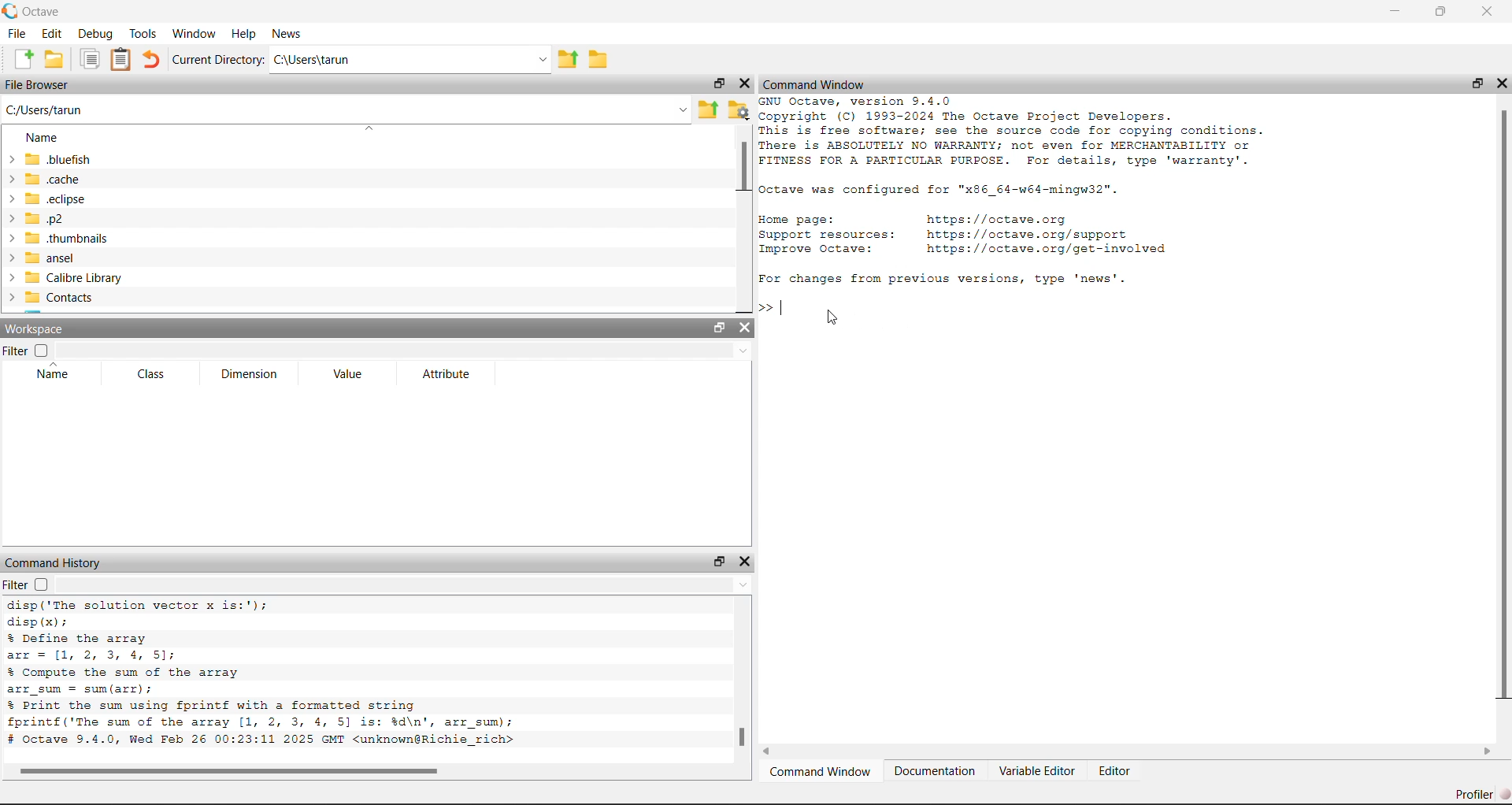 The height and width of the screenshot is (805, 1512). Describe the element at coordinates (195, 32) in the screenshot. I see `‘Window` at that location.